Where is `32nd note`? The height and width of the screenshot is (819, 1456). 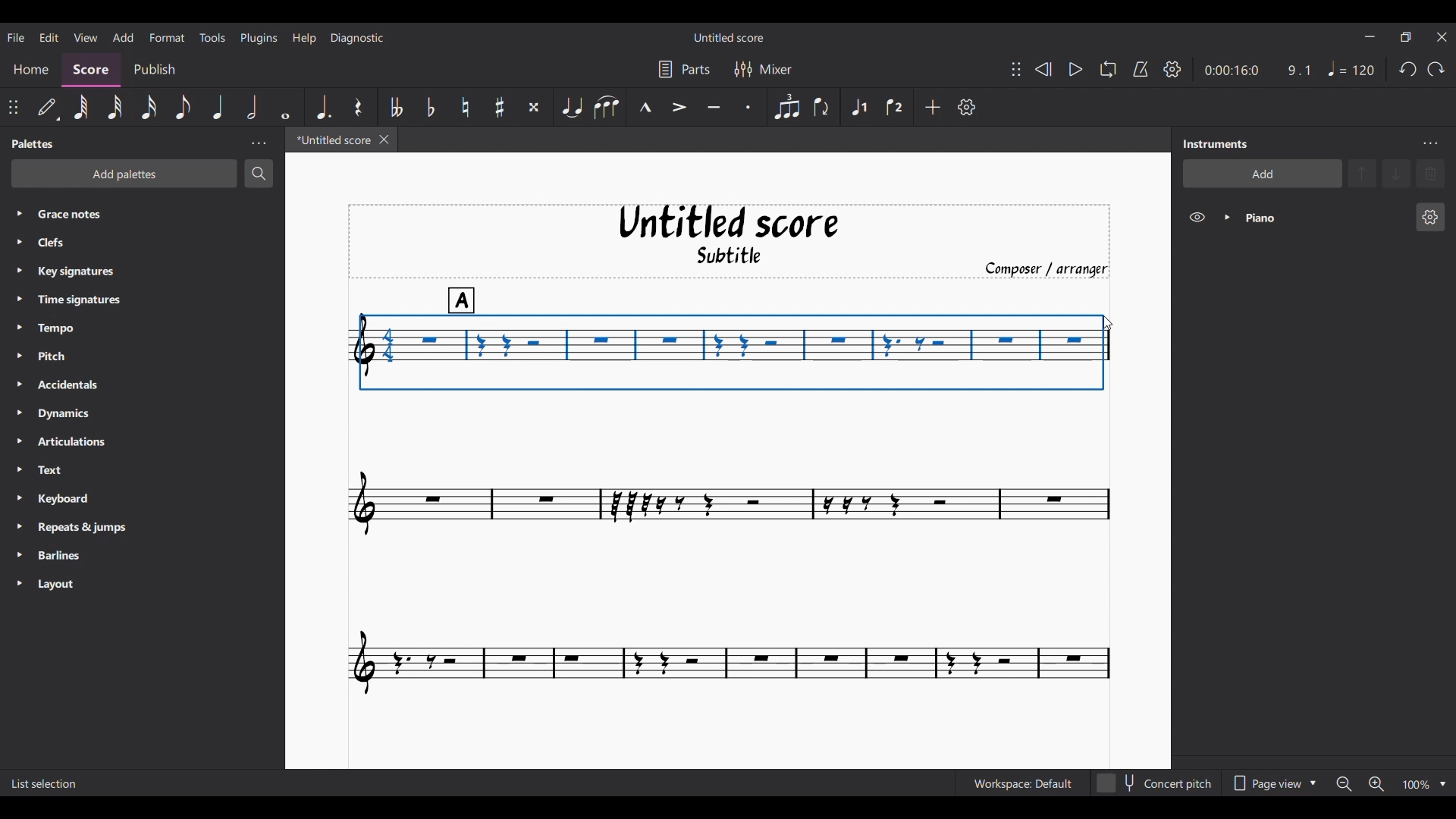 32nd note is located at coordinates (113, 107).